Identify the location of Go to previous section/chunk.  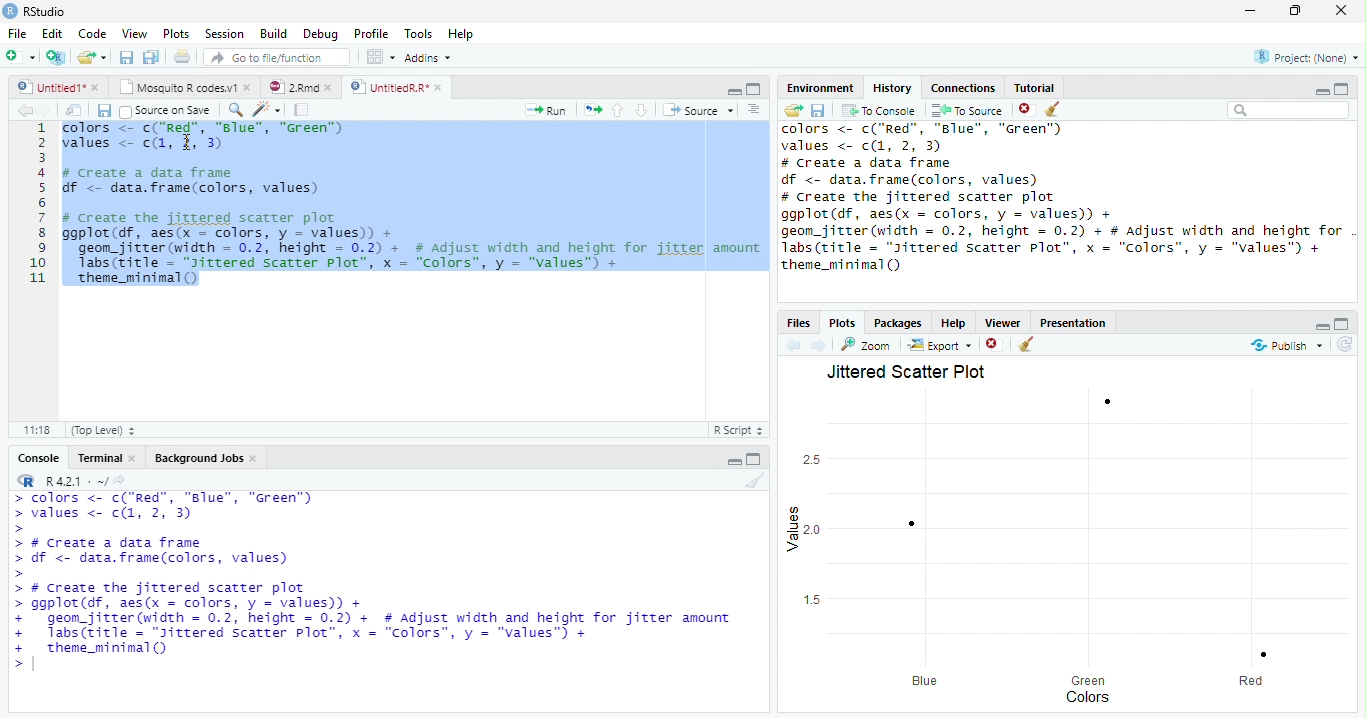
(617, 110).